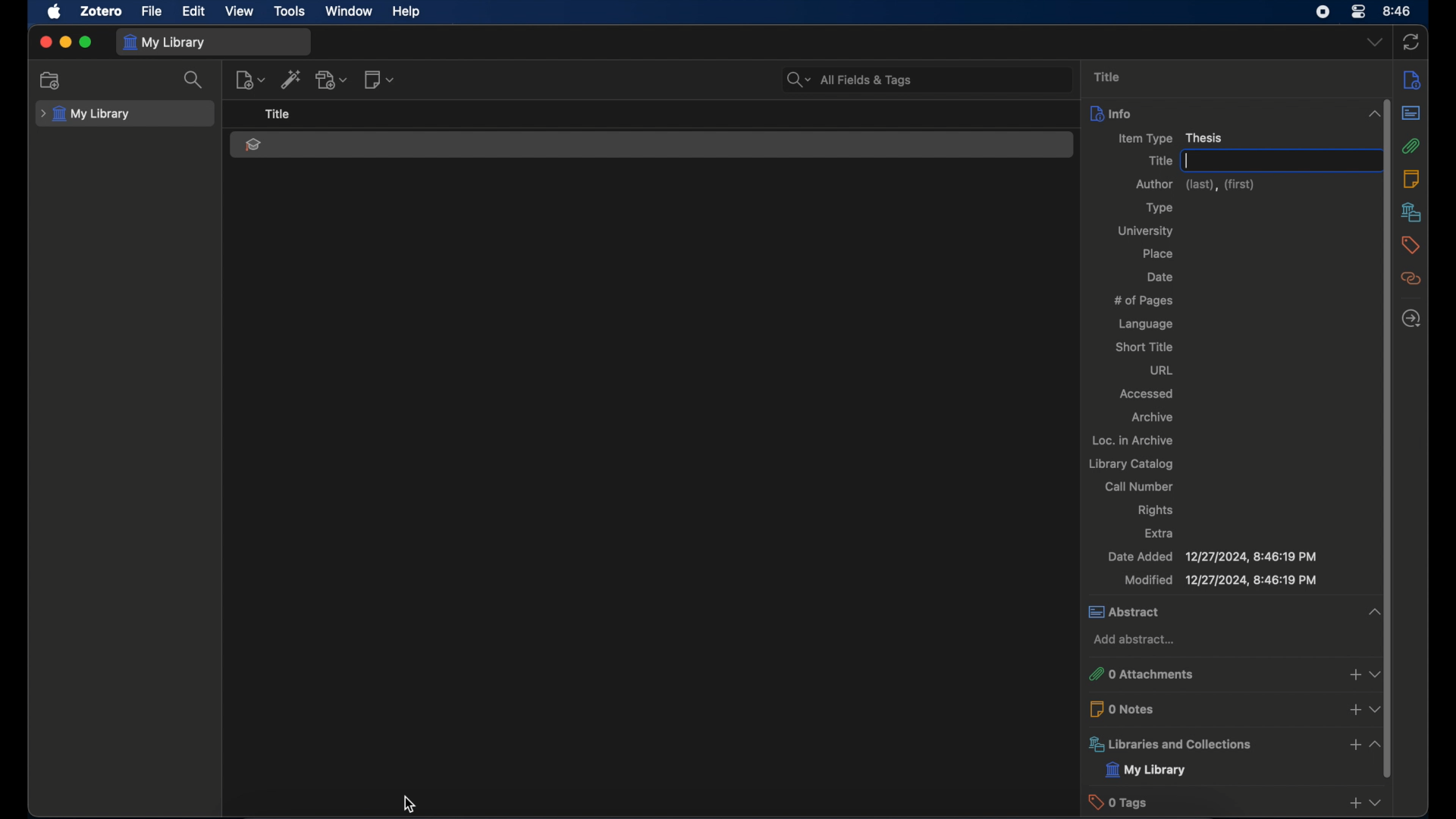 This screenshot has width=1456, height=819. Describe the element at coordinates (164, 42) in the screenshot. I see `my library` at that location.